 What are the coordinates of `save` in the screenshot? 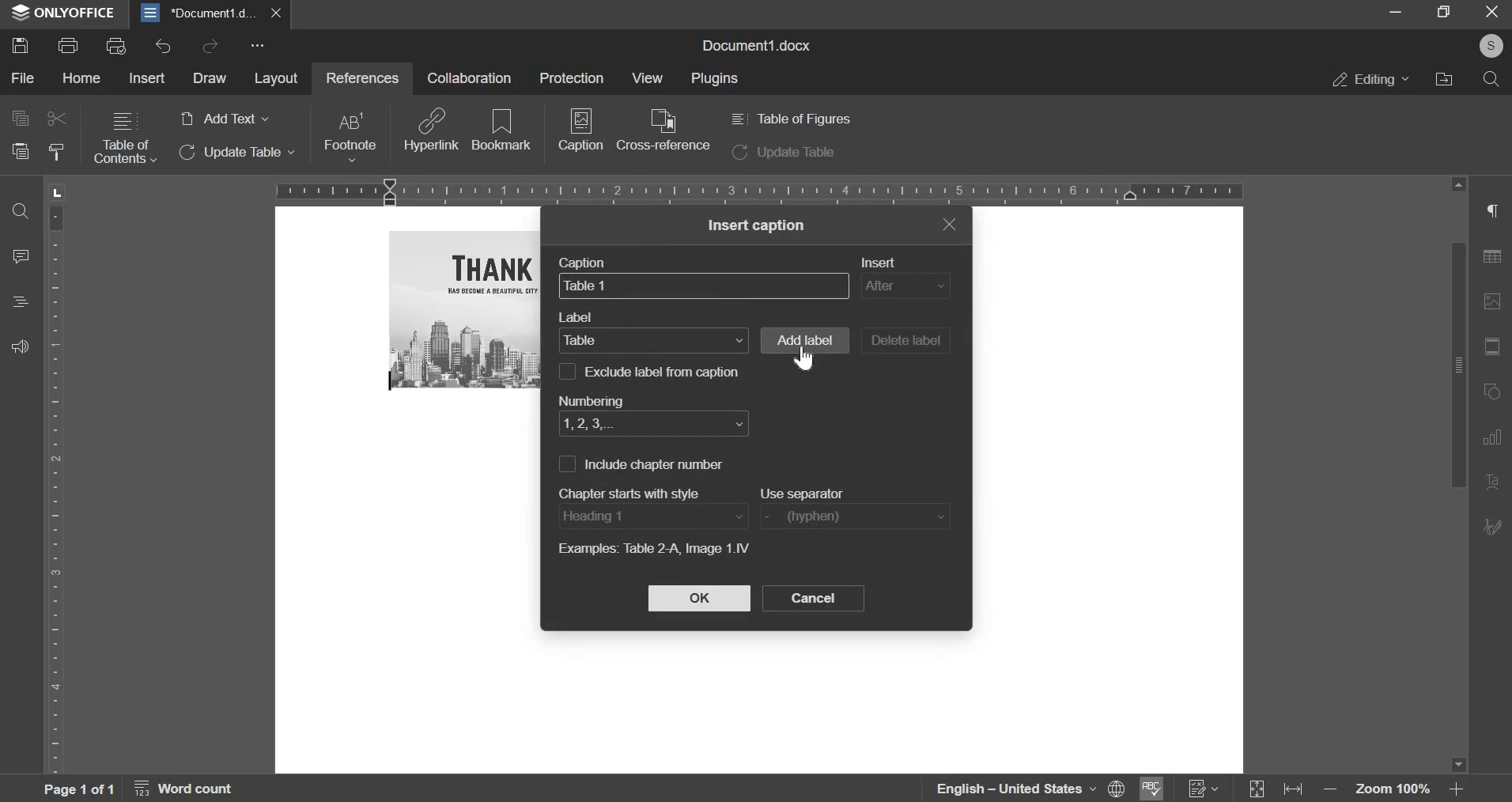 It's located at (19, 44).